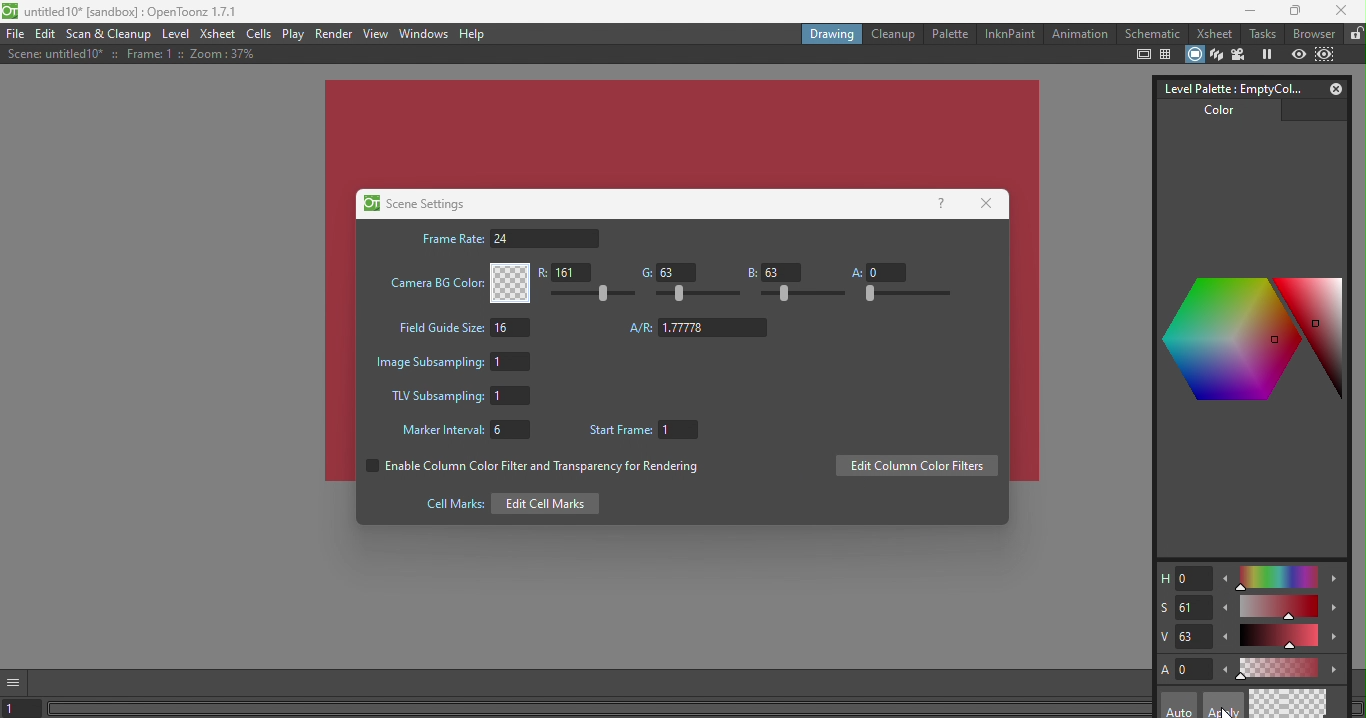 This screenshot has height=718, width=1366. What do you see at coordinates (940, 202) in the screenshot?
I see `Help` at bounding box center [940, 202].